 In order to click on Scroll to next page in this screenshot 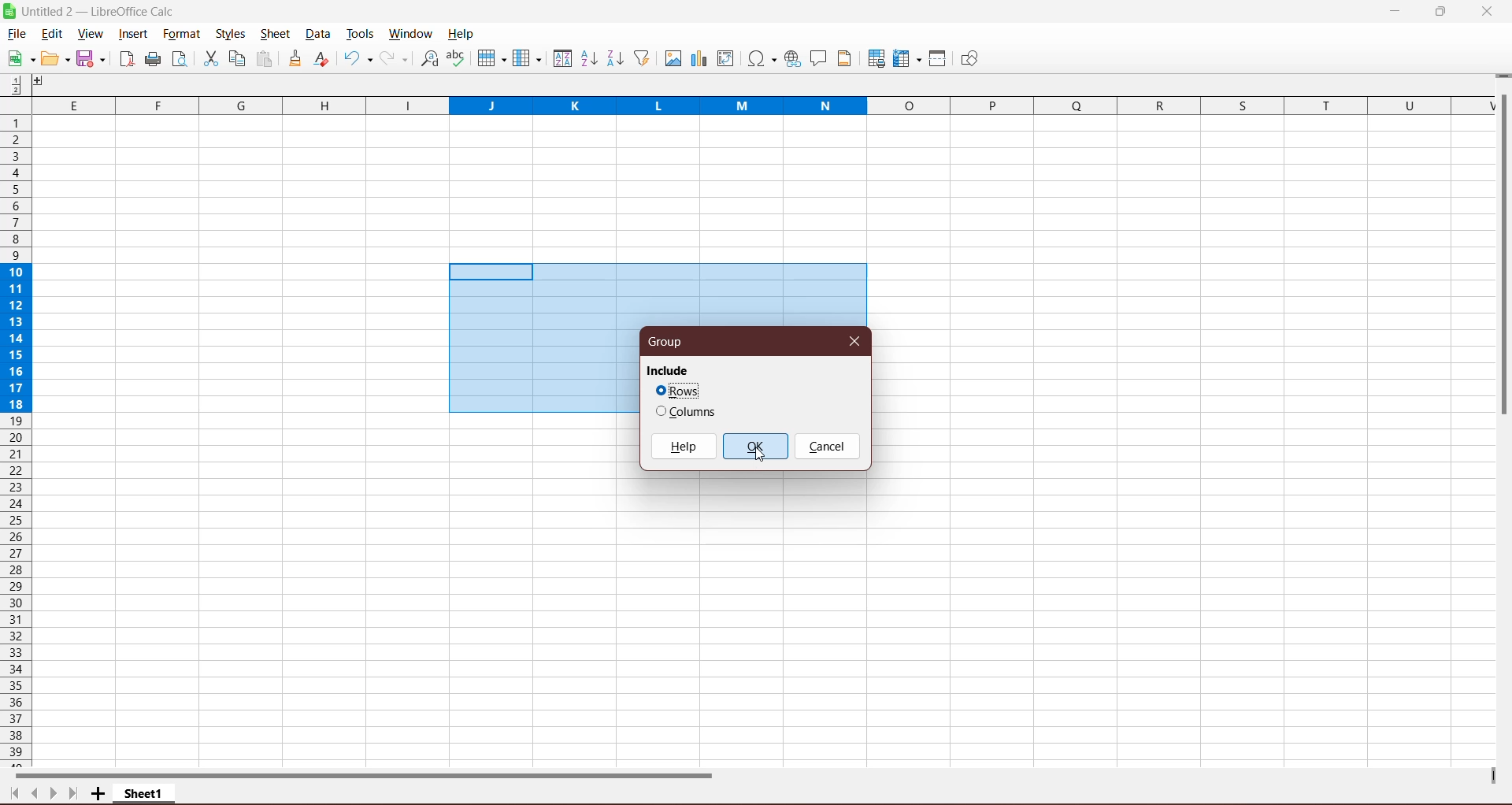, I will do `click(50, 792)`.